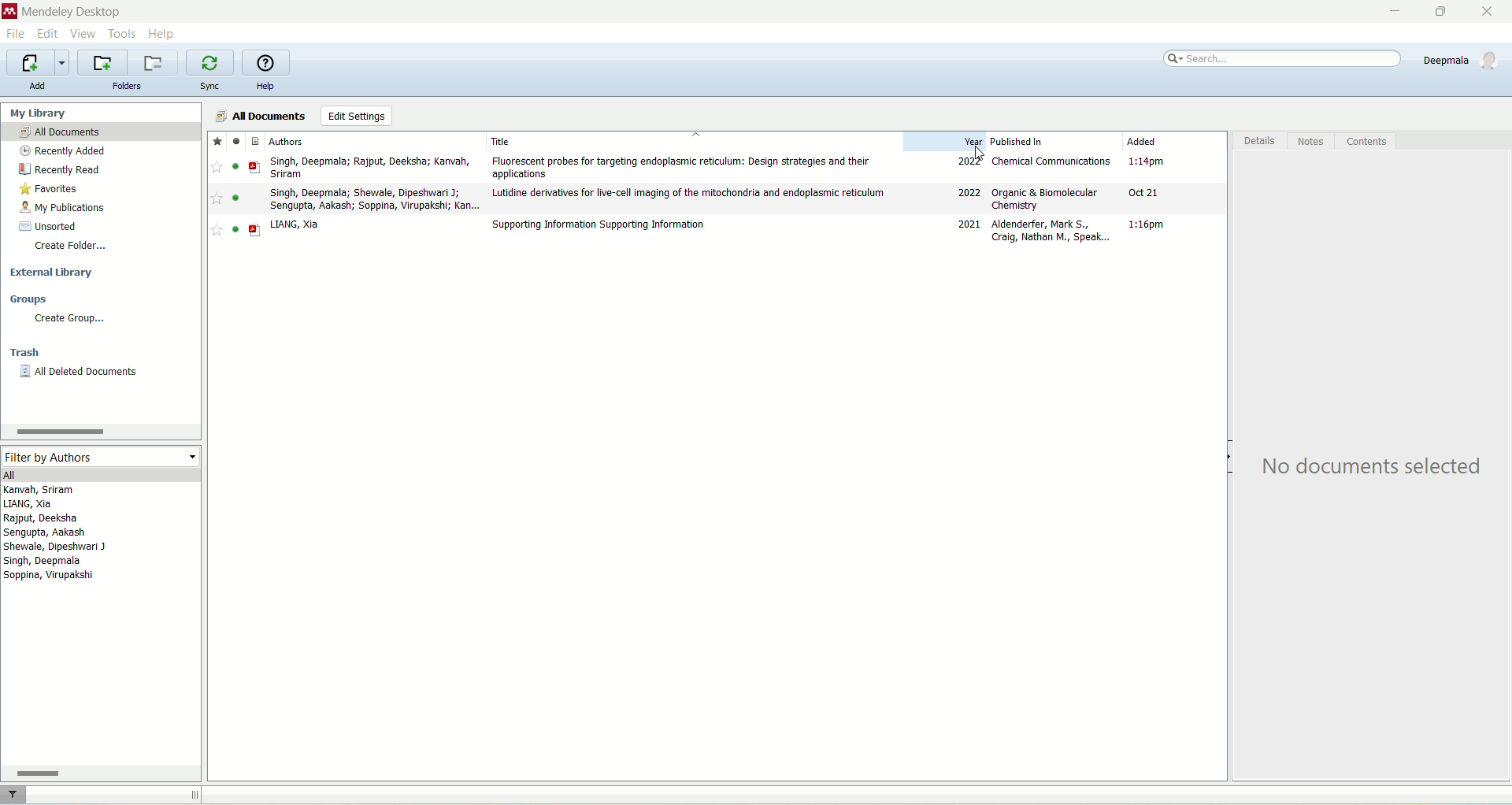  Describe the element at coordinates (1056, 232) in the screenshot. I see `Aldenderfer, Mark S; Craig, Nathan M., Speak...` at that location.